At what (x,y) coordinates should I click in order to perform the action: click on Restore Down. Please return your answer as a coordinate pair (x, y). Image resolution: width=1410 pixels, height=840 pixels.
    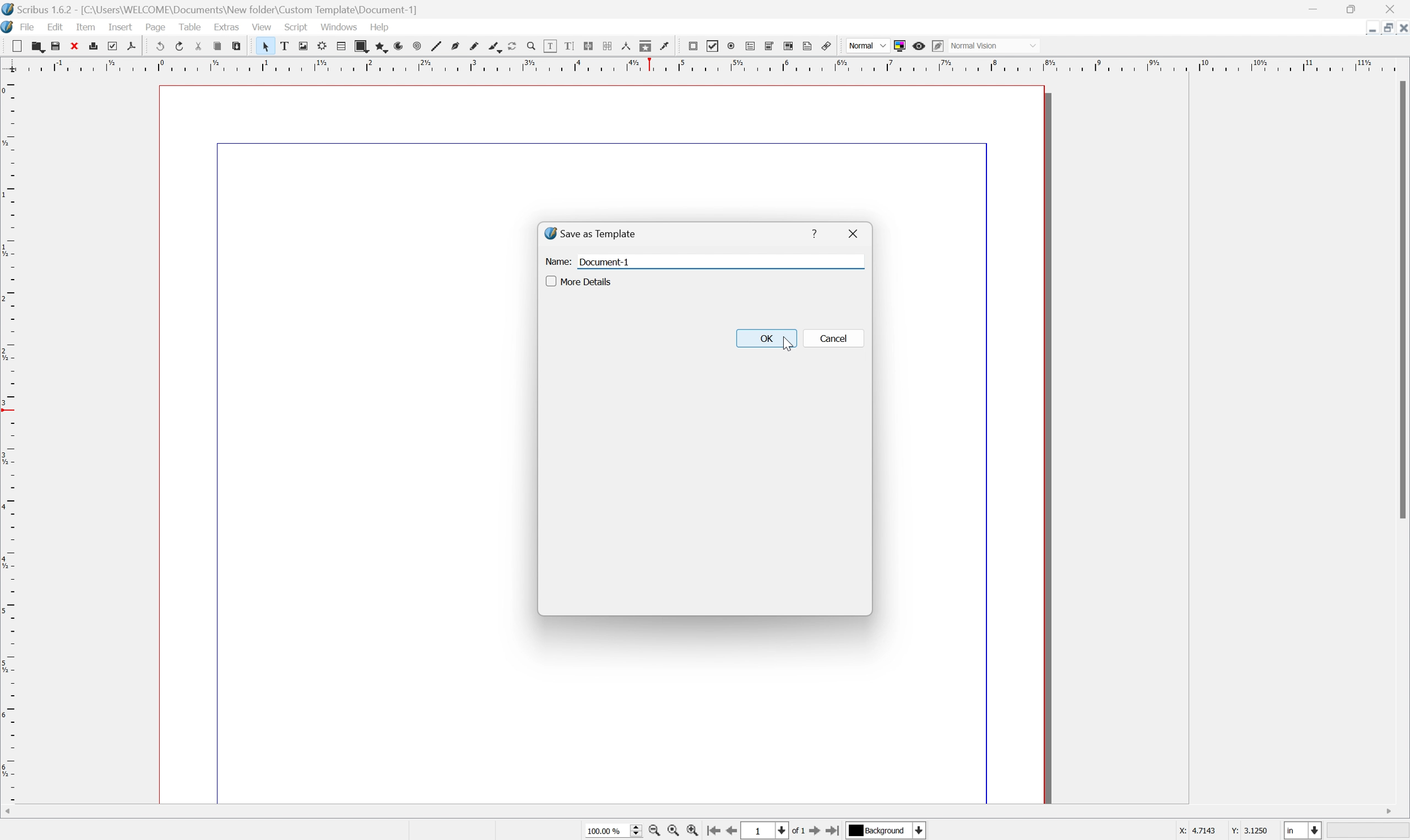
    Looking at the image, I should click on (1386, 29).